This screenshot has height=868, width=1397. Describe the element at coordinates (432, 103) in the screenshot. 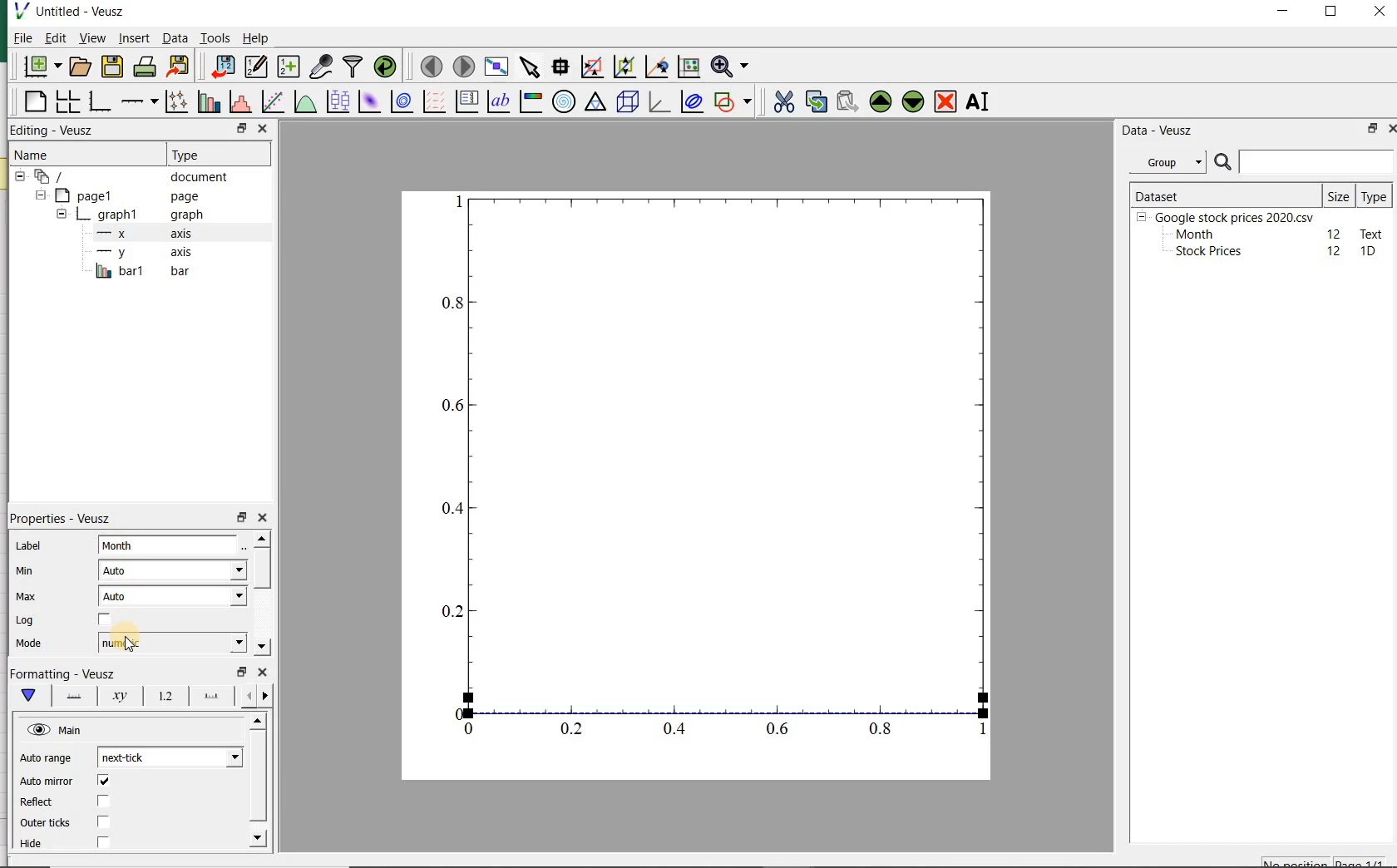

I see `plot a vector field` at that location.